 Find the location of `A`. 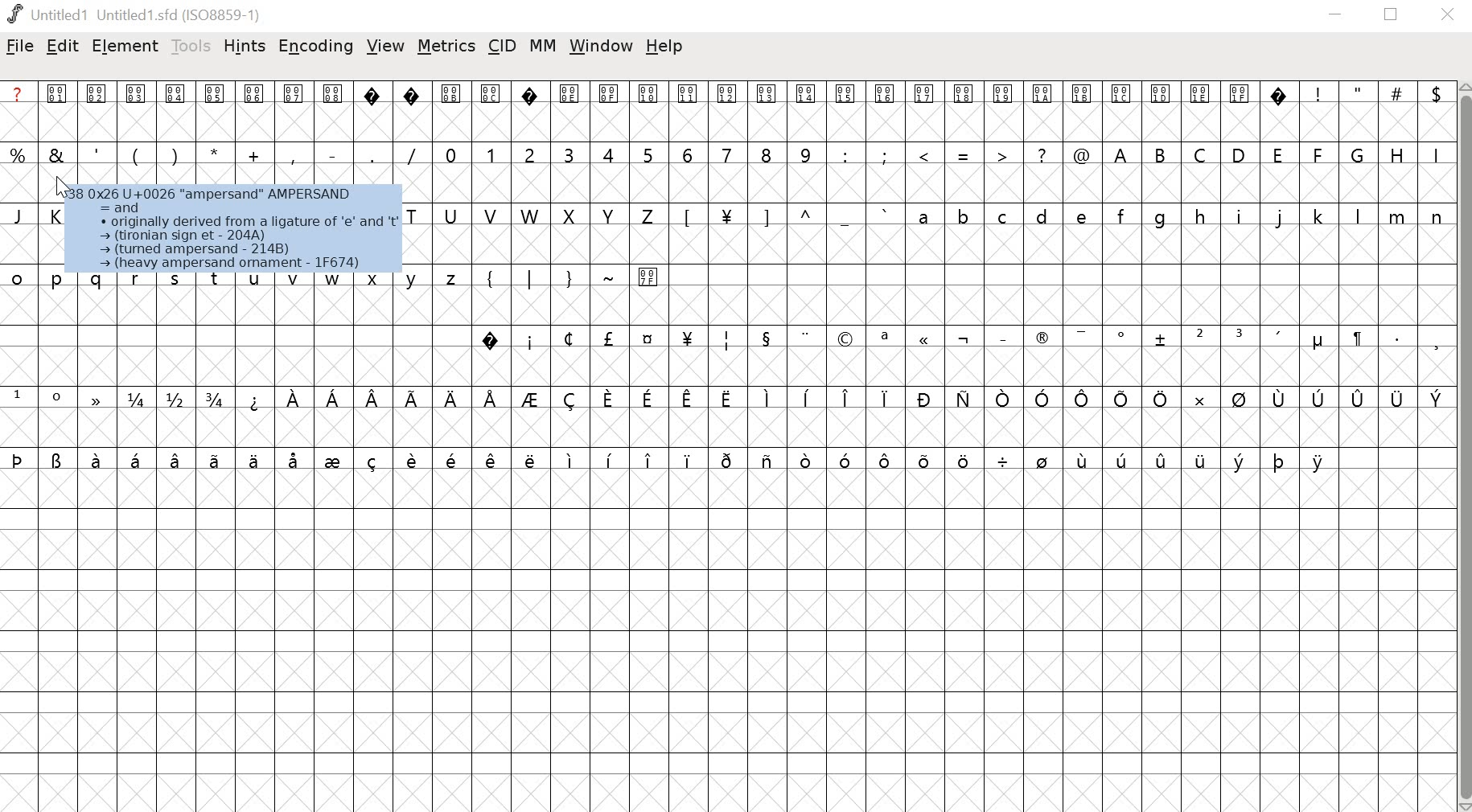

A is located at coordinates (1122, 153).